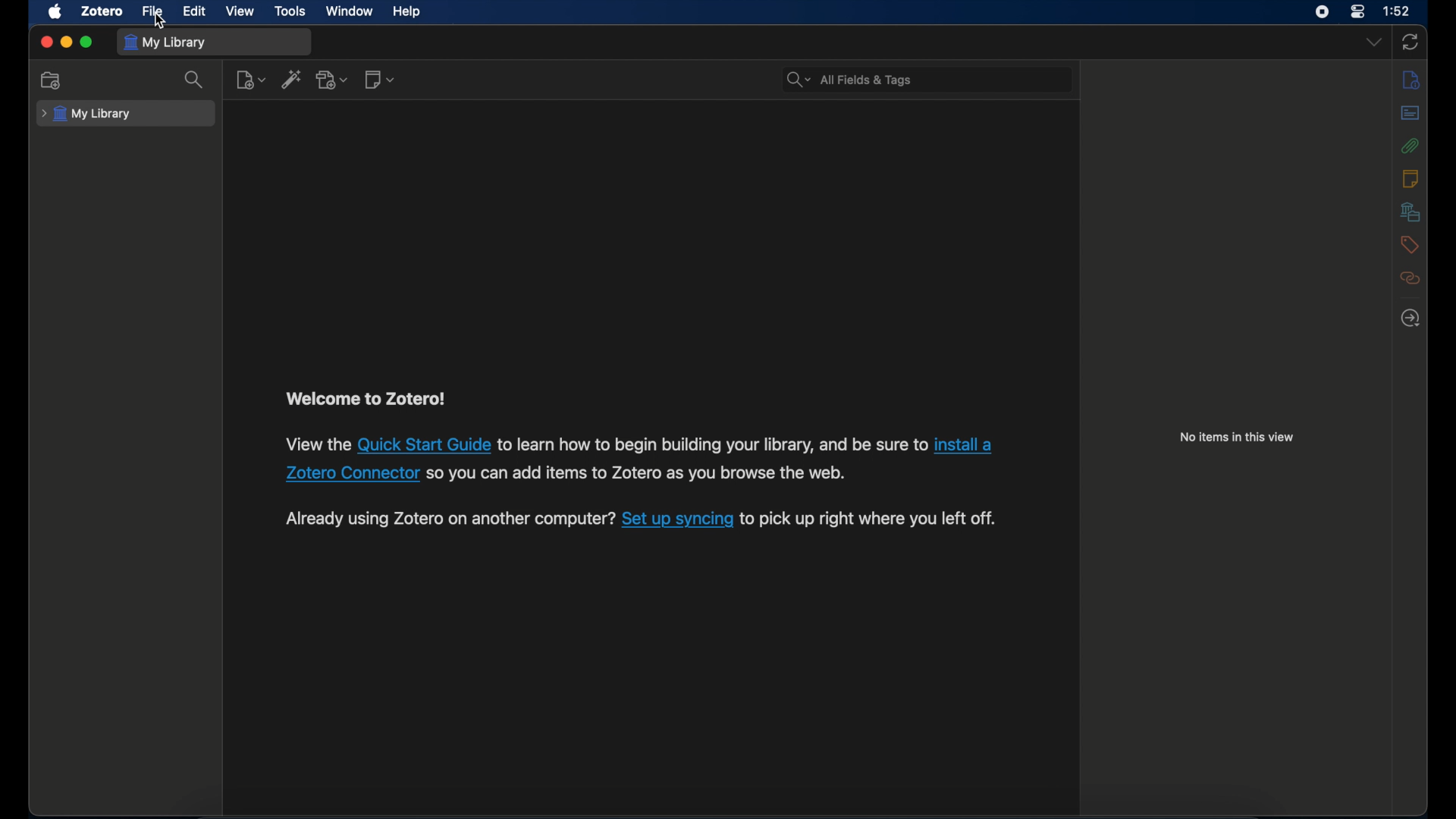 Image resolution: width=1456 pixels, height=819 pixels. I want to click on so you can add items to Zotero as you browse the web., so click(635, 474).